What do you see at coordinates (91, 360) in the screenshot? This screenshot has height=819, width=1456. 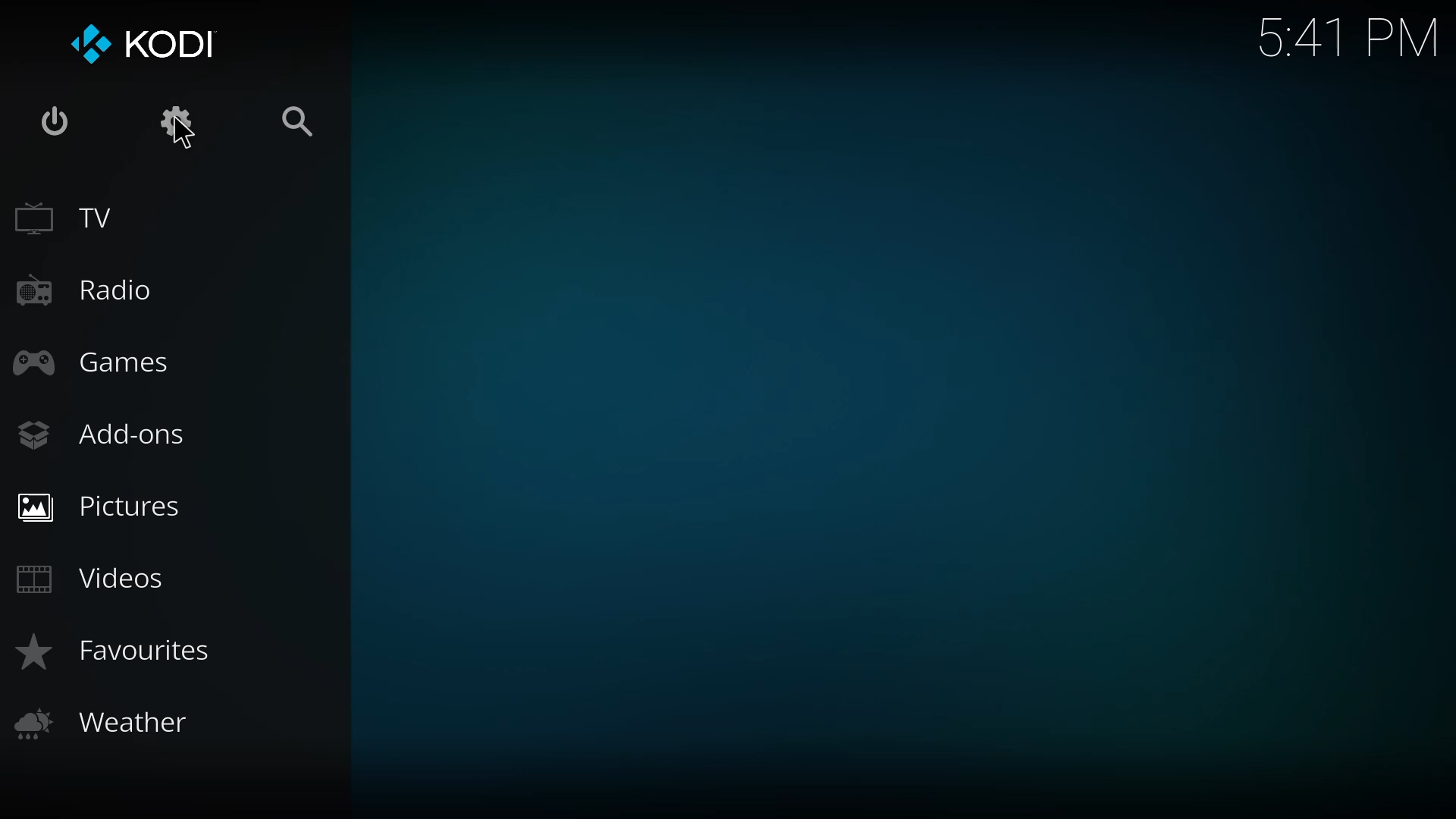 I see `games` at bounding box center [91, 360].